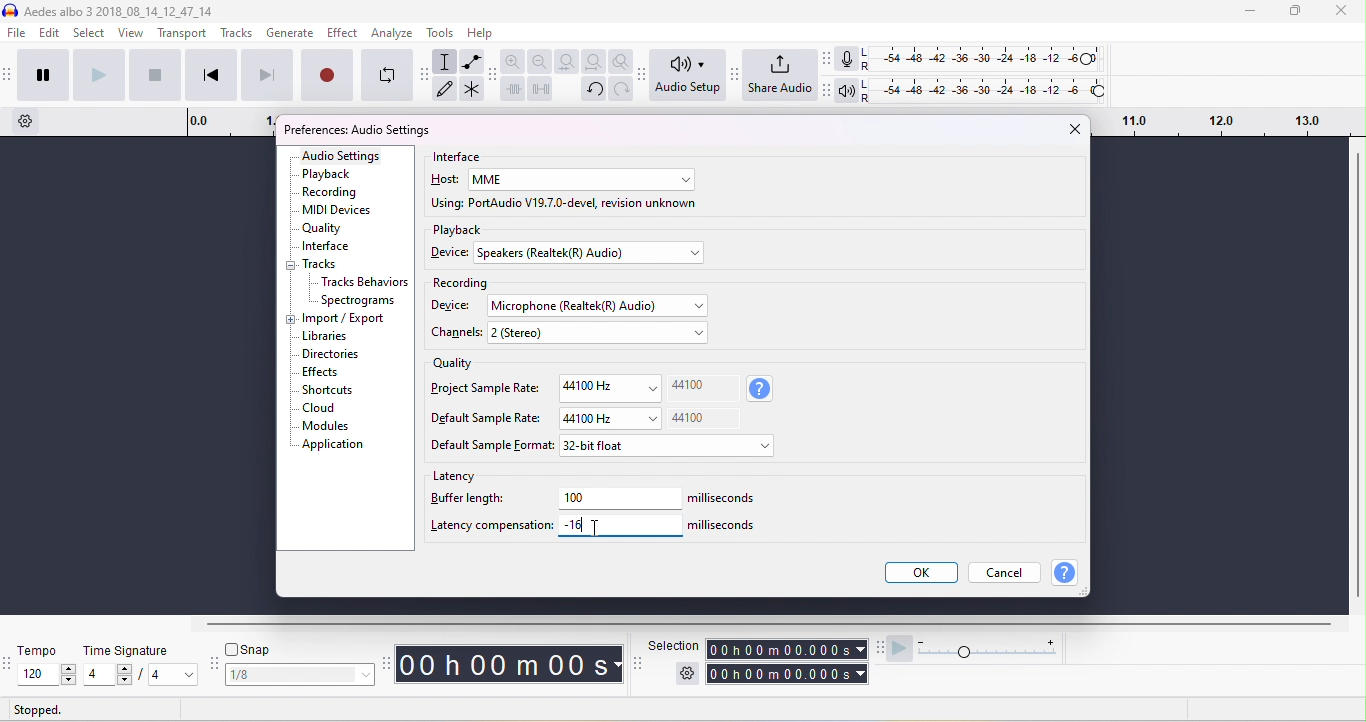  Describe the element at coordinates (342, 156) in the screenshot. I see `audio settings` at that location.